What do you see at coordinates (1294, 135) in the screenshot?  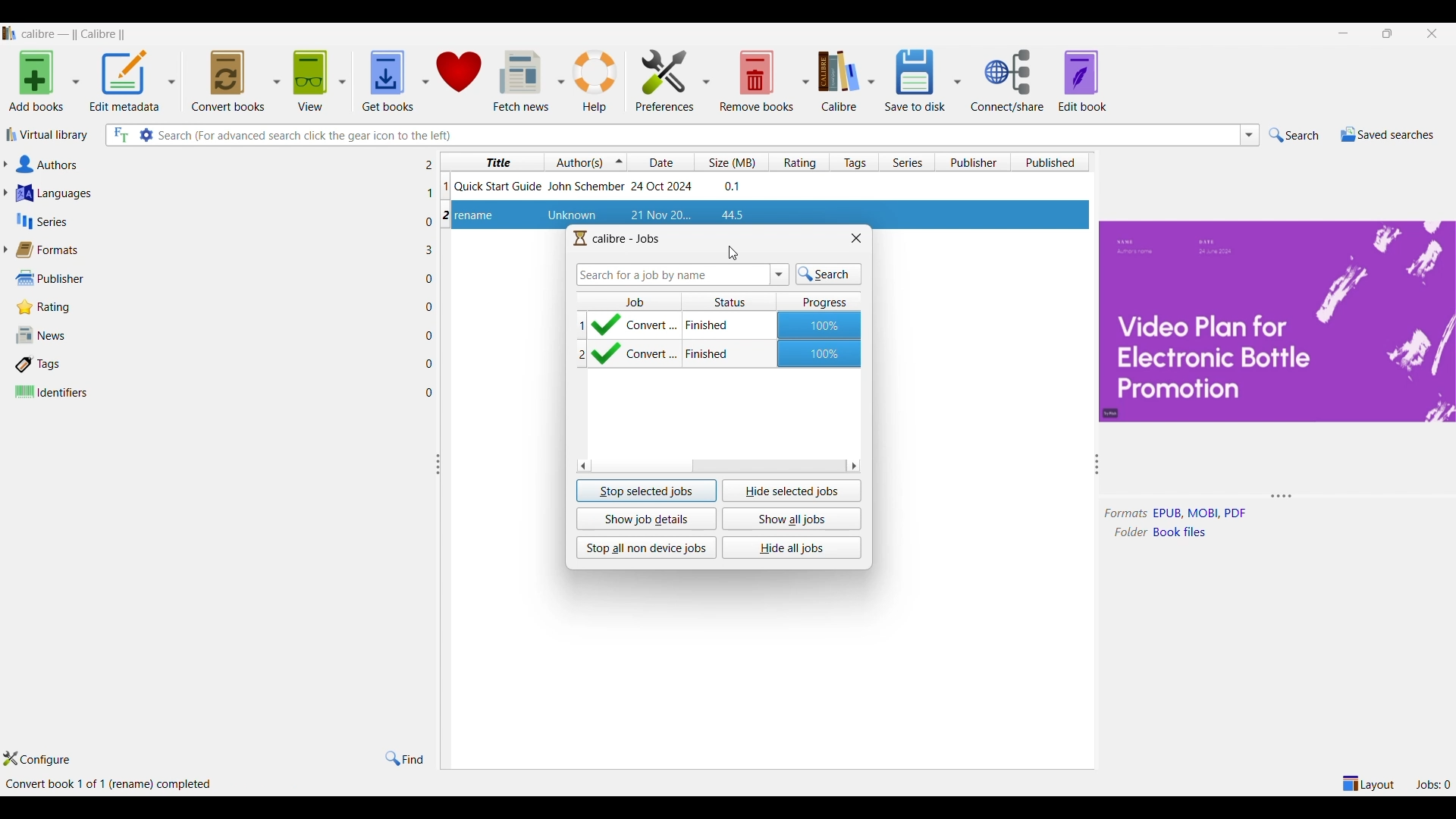 I see `Search` at bounding box center [1294, 135].